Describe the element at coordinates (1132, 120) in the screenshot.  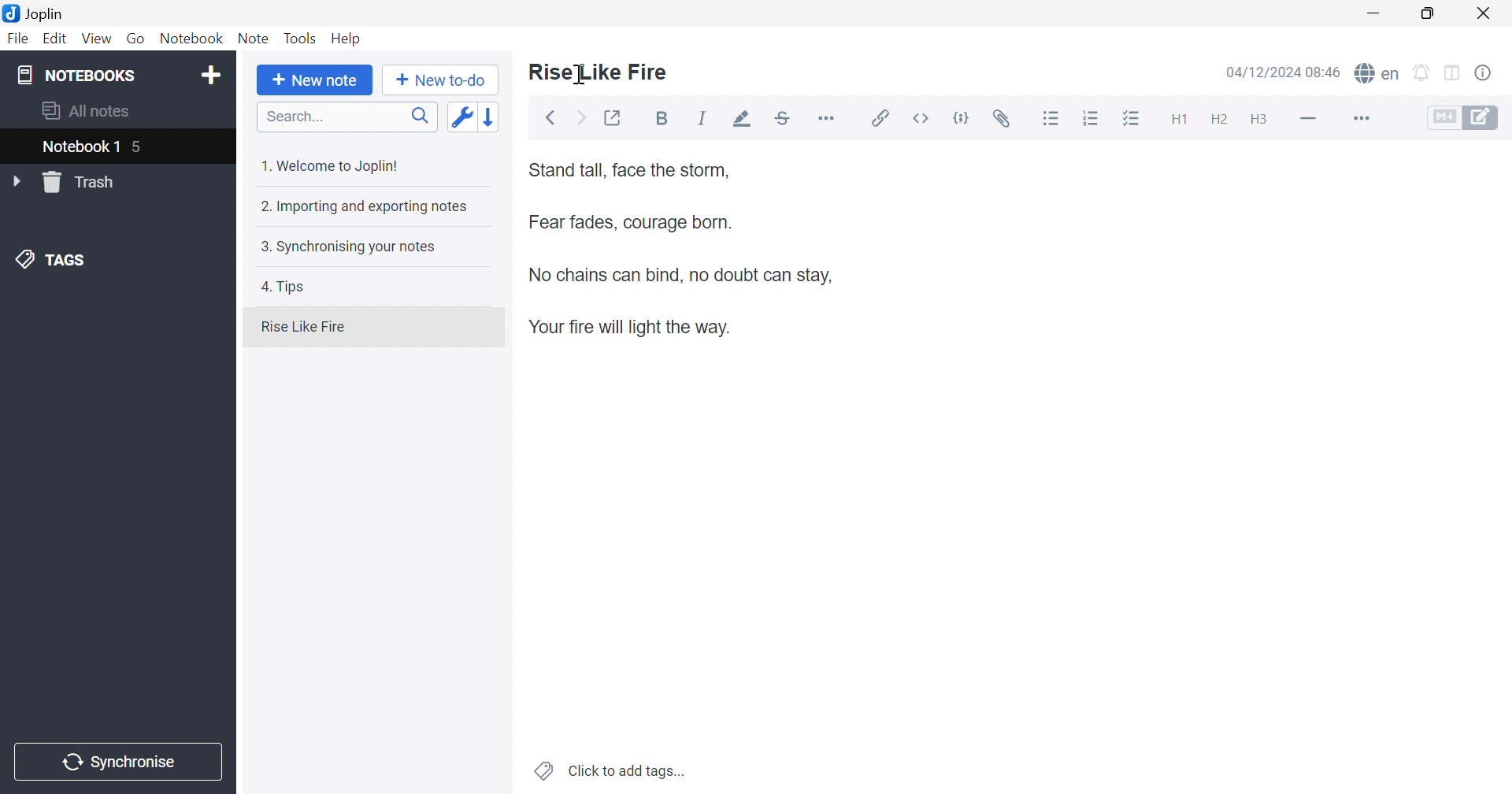
I see `Checkbox list` at that location.